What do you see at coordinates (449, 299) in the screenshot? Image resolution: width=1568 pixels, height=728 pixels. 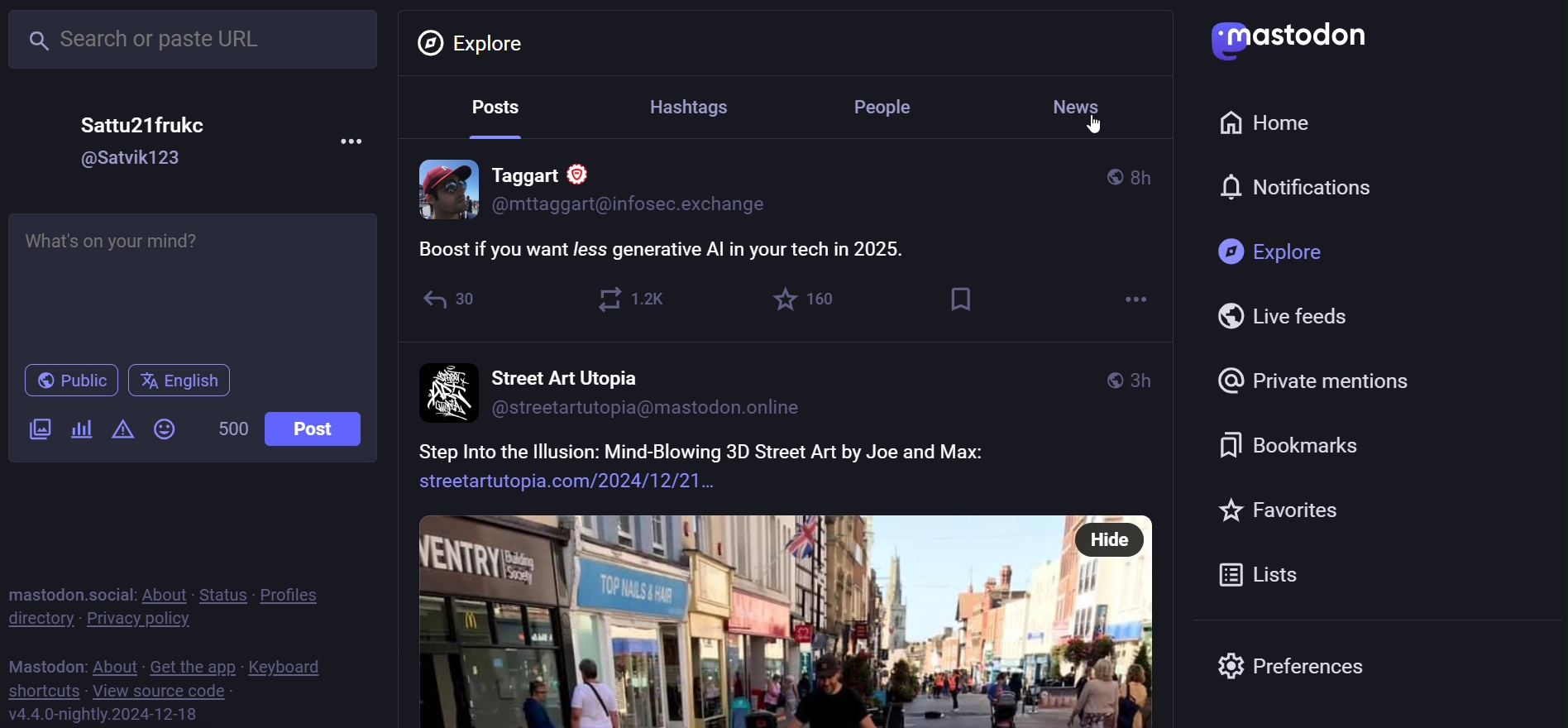 I see `reply` at bounding box center [449, 299].